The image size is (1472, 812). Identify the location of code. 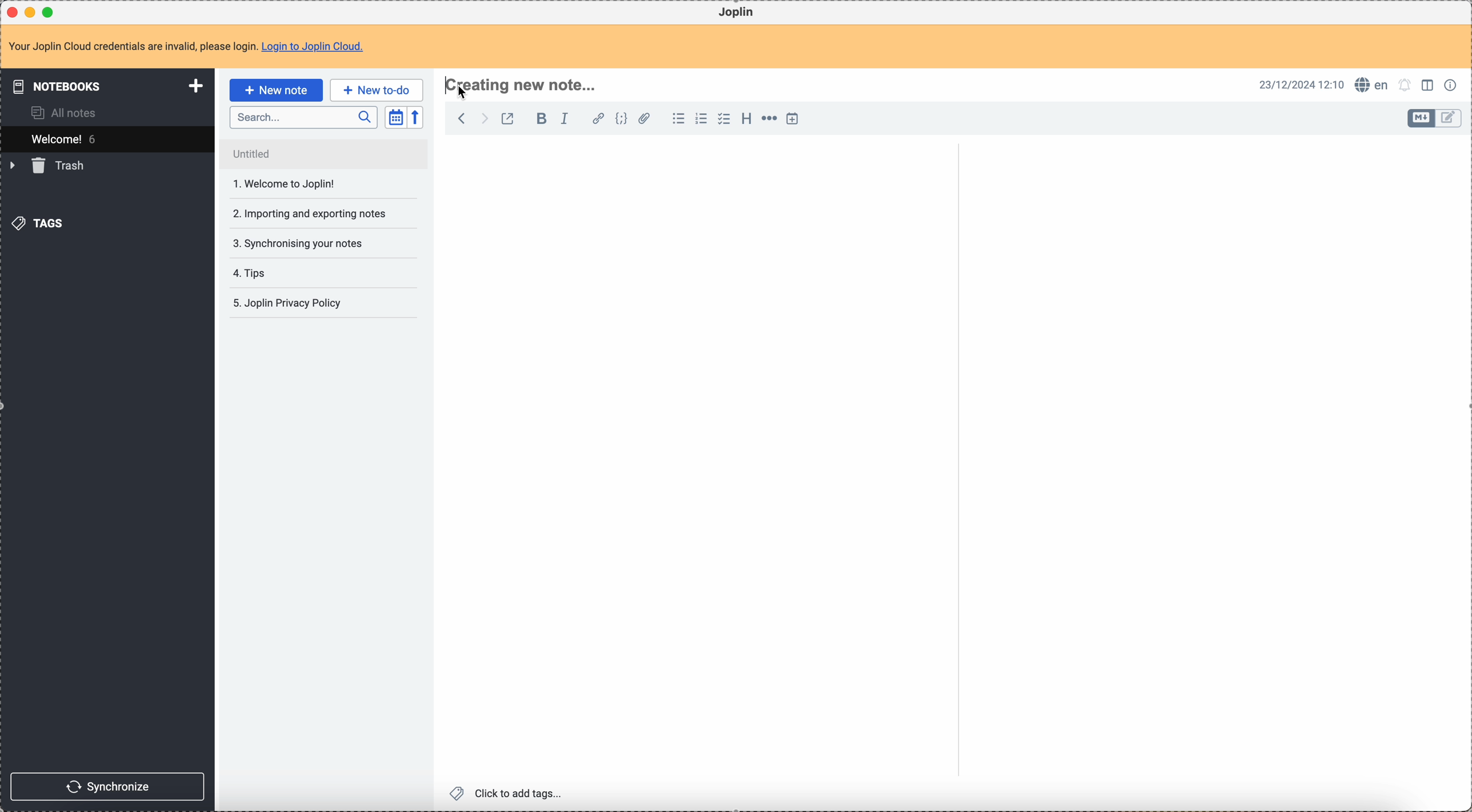
(621, 119).